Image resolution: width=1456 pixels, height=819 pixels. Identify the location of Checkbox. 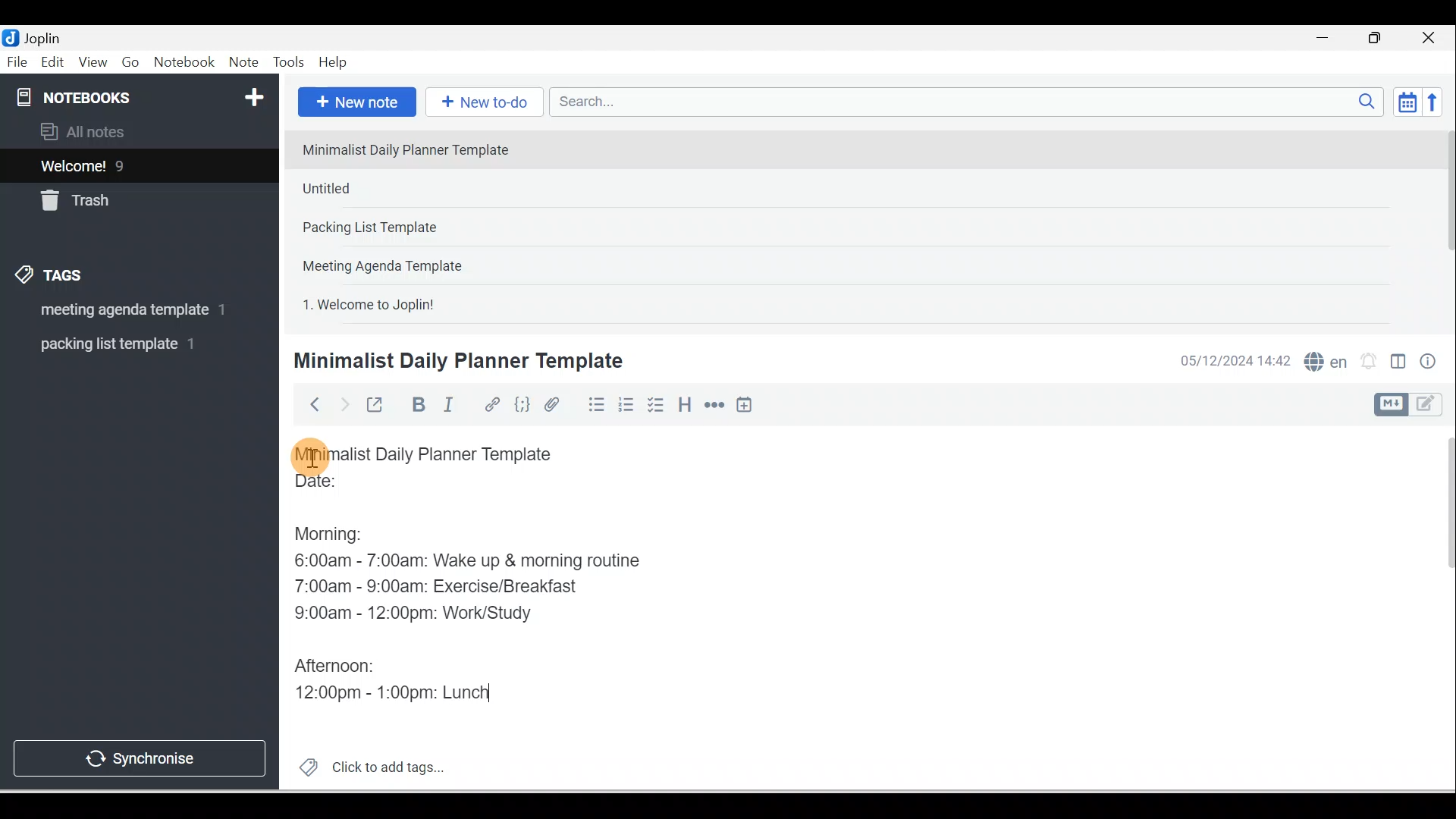
(654, 405).